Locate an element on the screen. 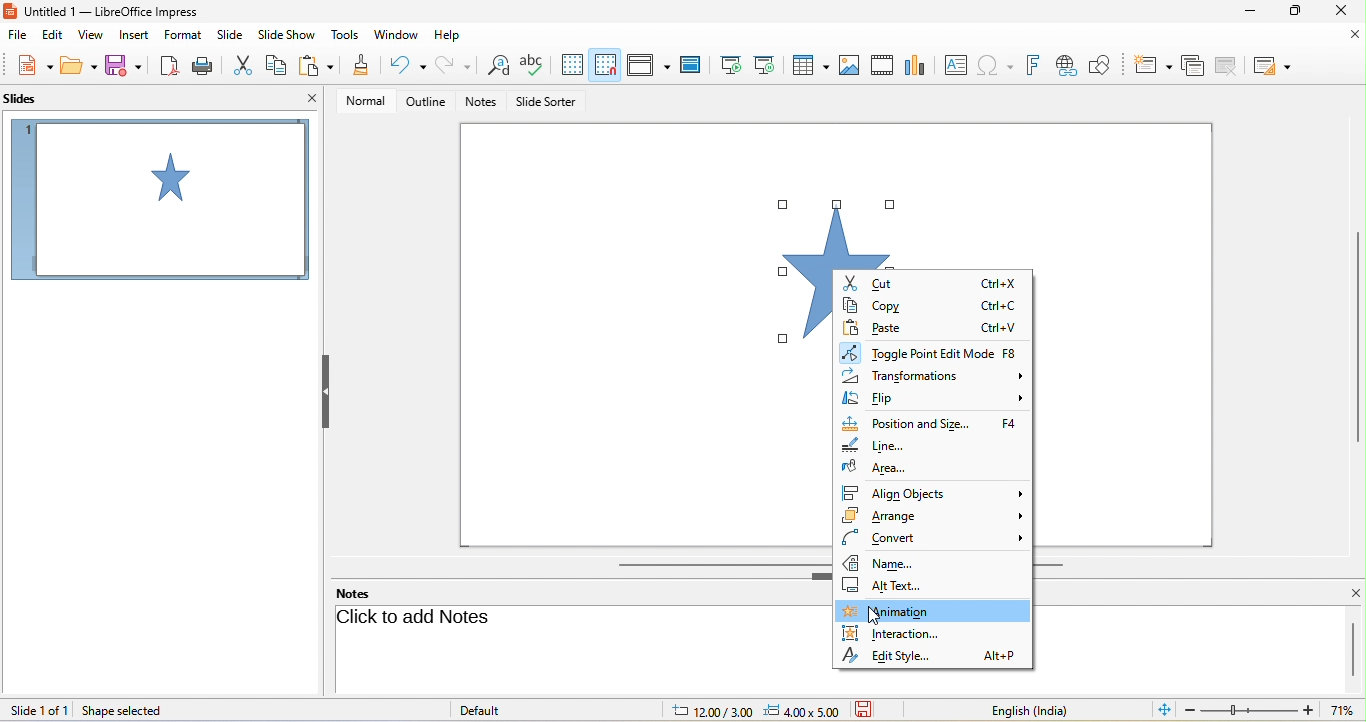 Image resolution: width=1366 pixels, height=722 pixels. view is located at coordinates (88, 36).